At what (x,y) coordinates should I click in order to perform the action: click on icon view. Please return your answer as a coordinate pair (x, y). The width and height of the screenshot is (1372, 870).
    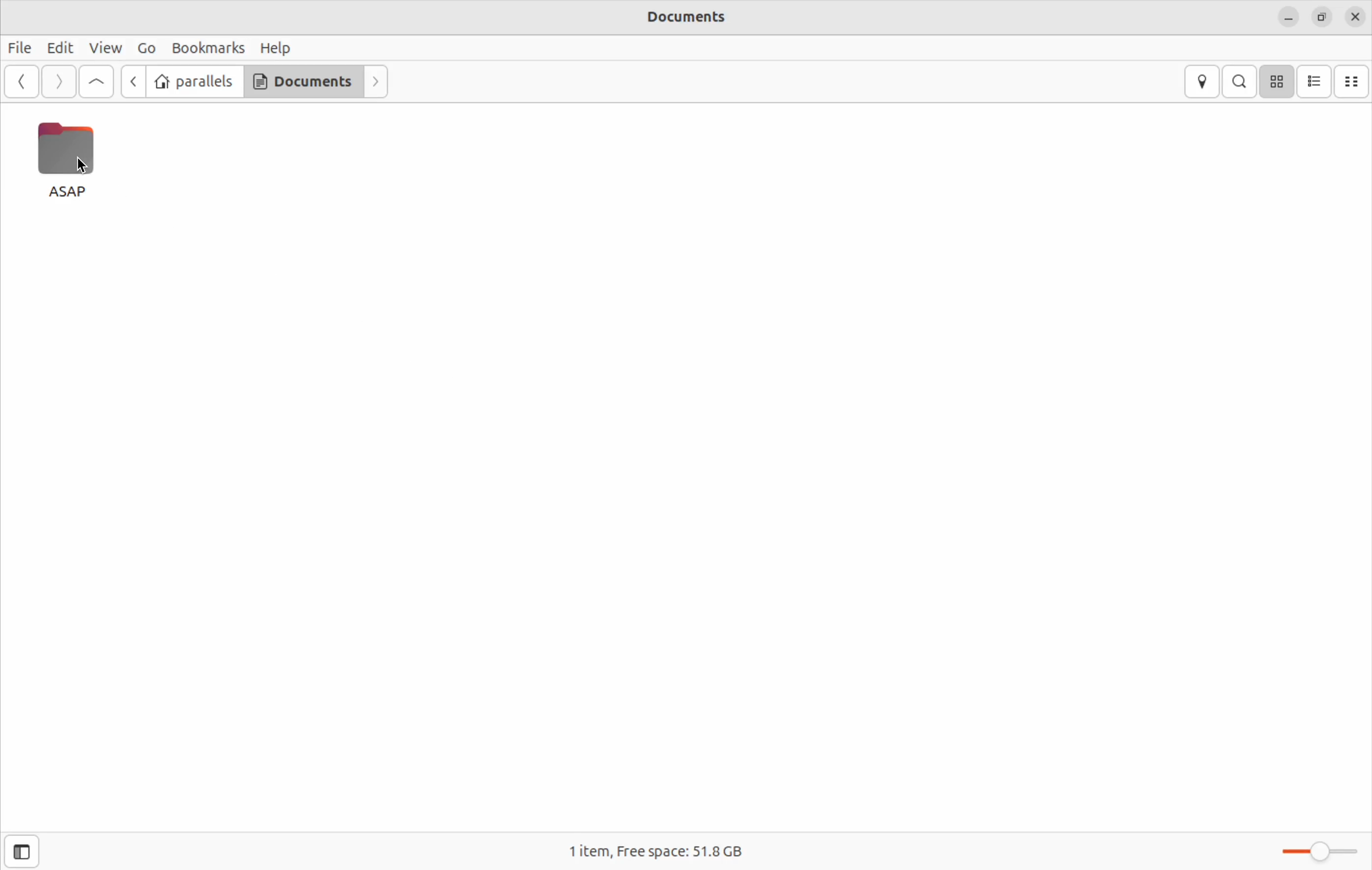
    Looking at the image, I should click on (1279, 81).